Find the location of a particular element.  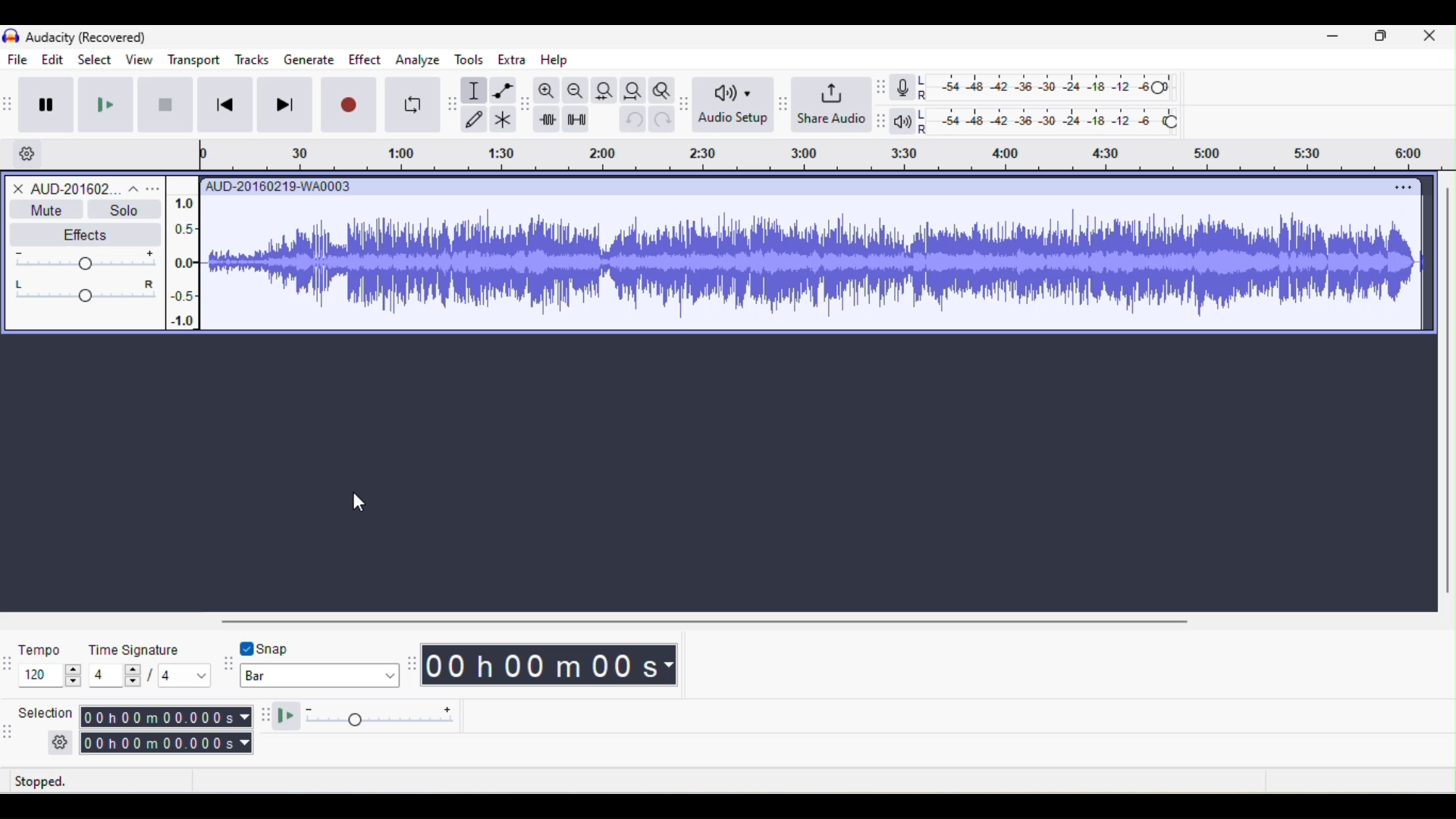

audacity time toolbar is located at coordinates (410, 664).